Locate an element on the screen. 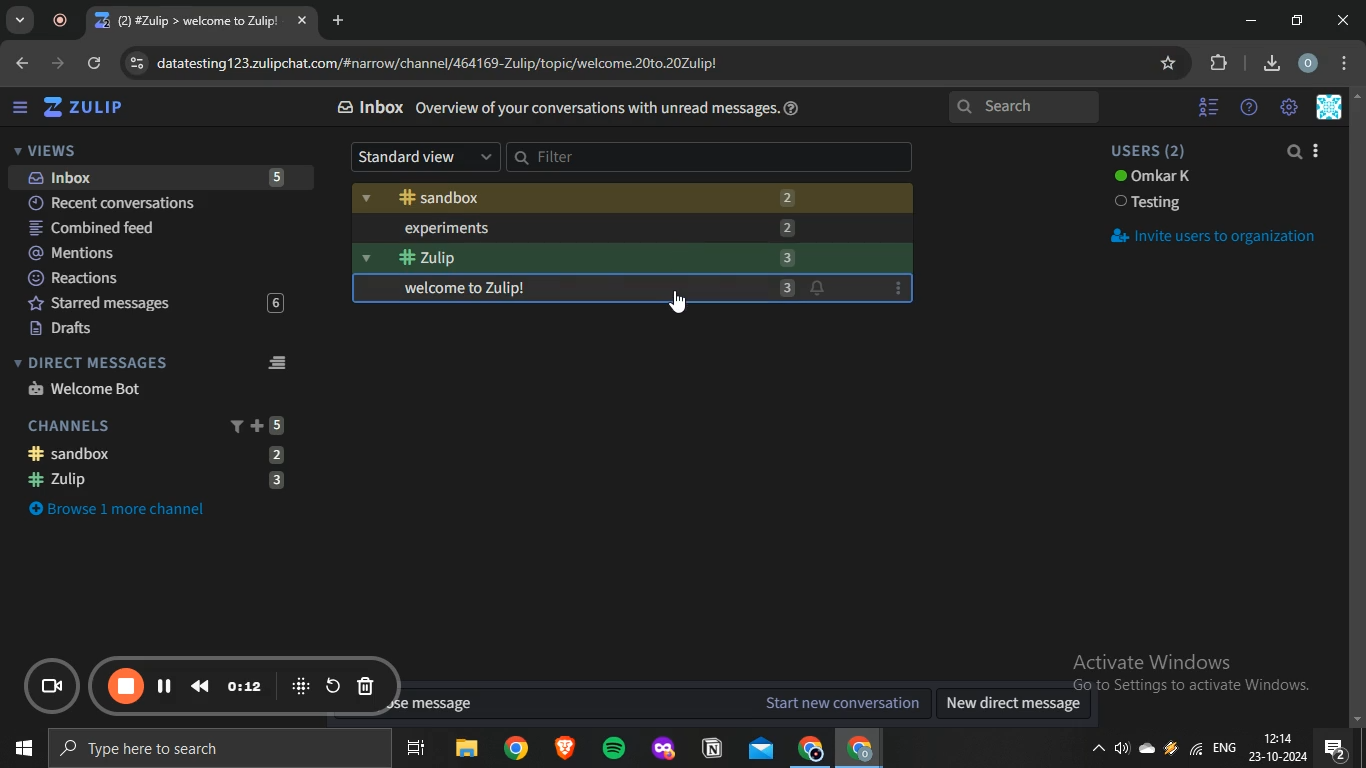  filter is located at coordinates (711, 157).